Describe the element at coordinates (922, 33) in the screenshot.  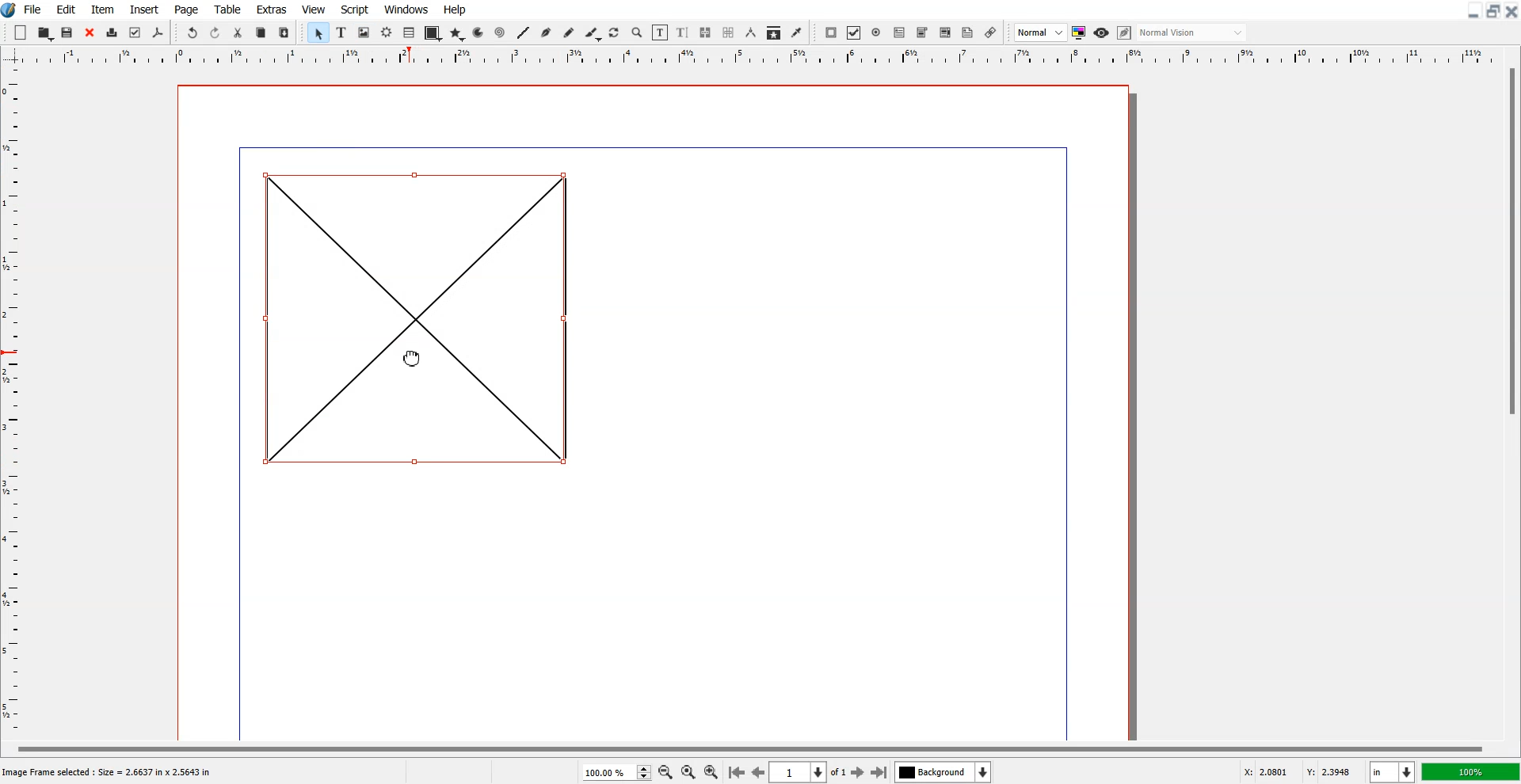
I see `PDF Combo Box` at that location.